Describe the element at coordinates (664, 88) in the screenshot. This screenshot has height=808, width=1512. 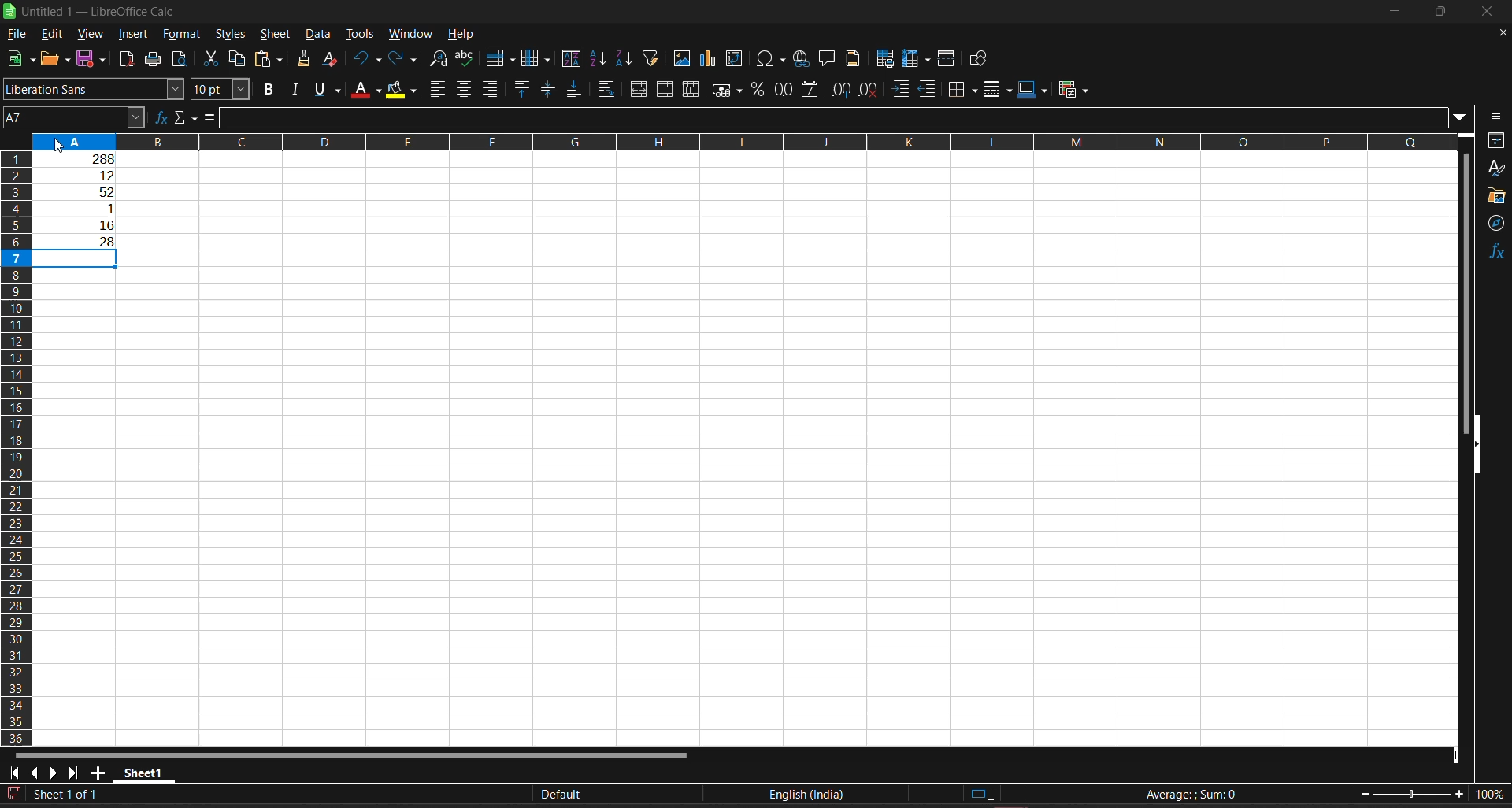
I see `merge cells` at that location.